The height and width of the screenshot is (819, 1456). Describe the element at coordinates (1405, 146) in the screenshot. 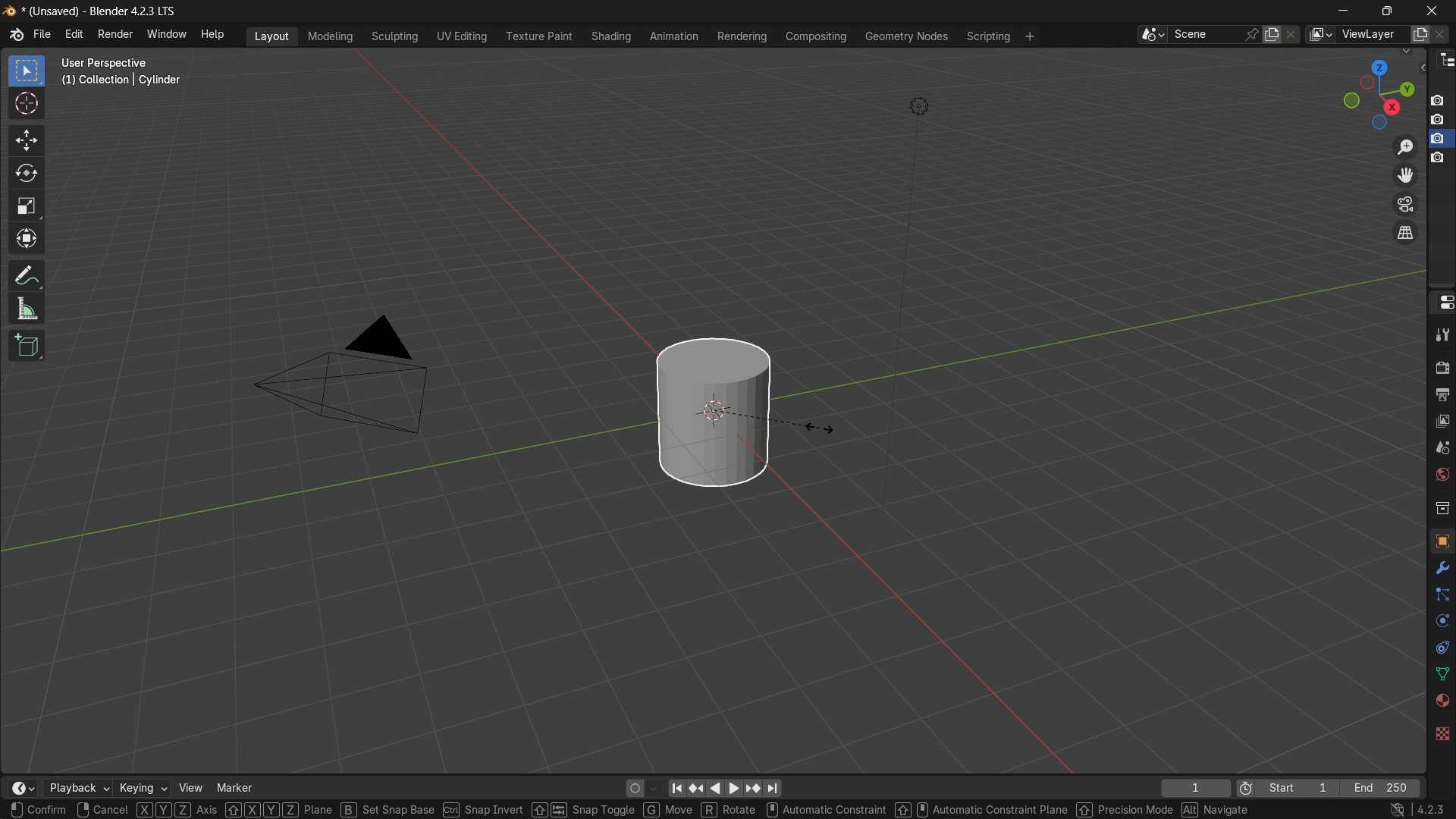

I see `zoom in/out` at that location.